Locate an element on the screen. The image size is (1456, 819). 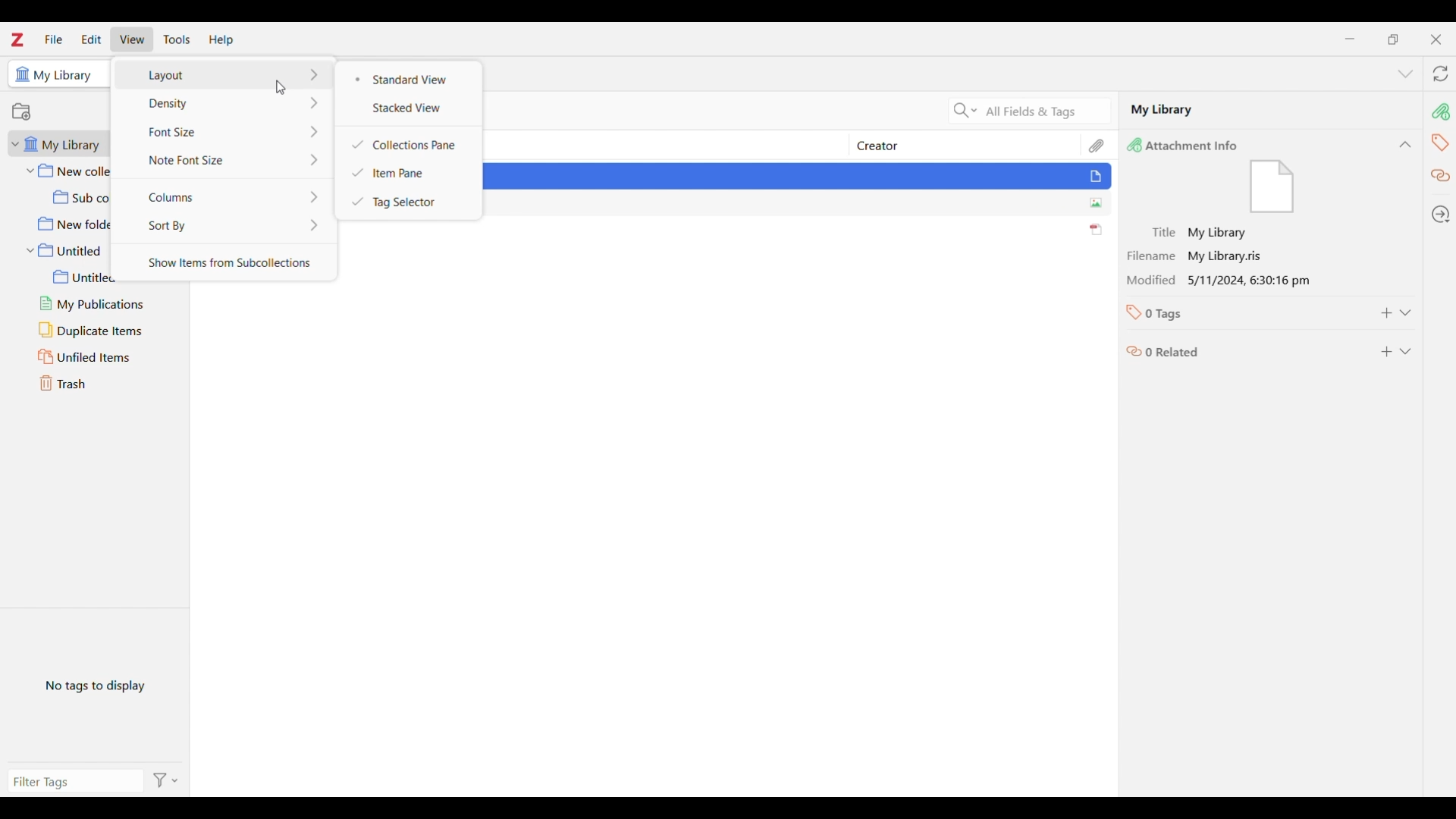
New collection folder is located at coordinates (67, 171).